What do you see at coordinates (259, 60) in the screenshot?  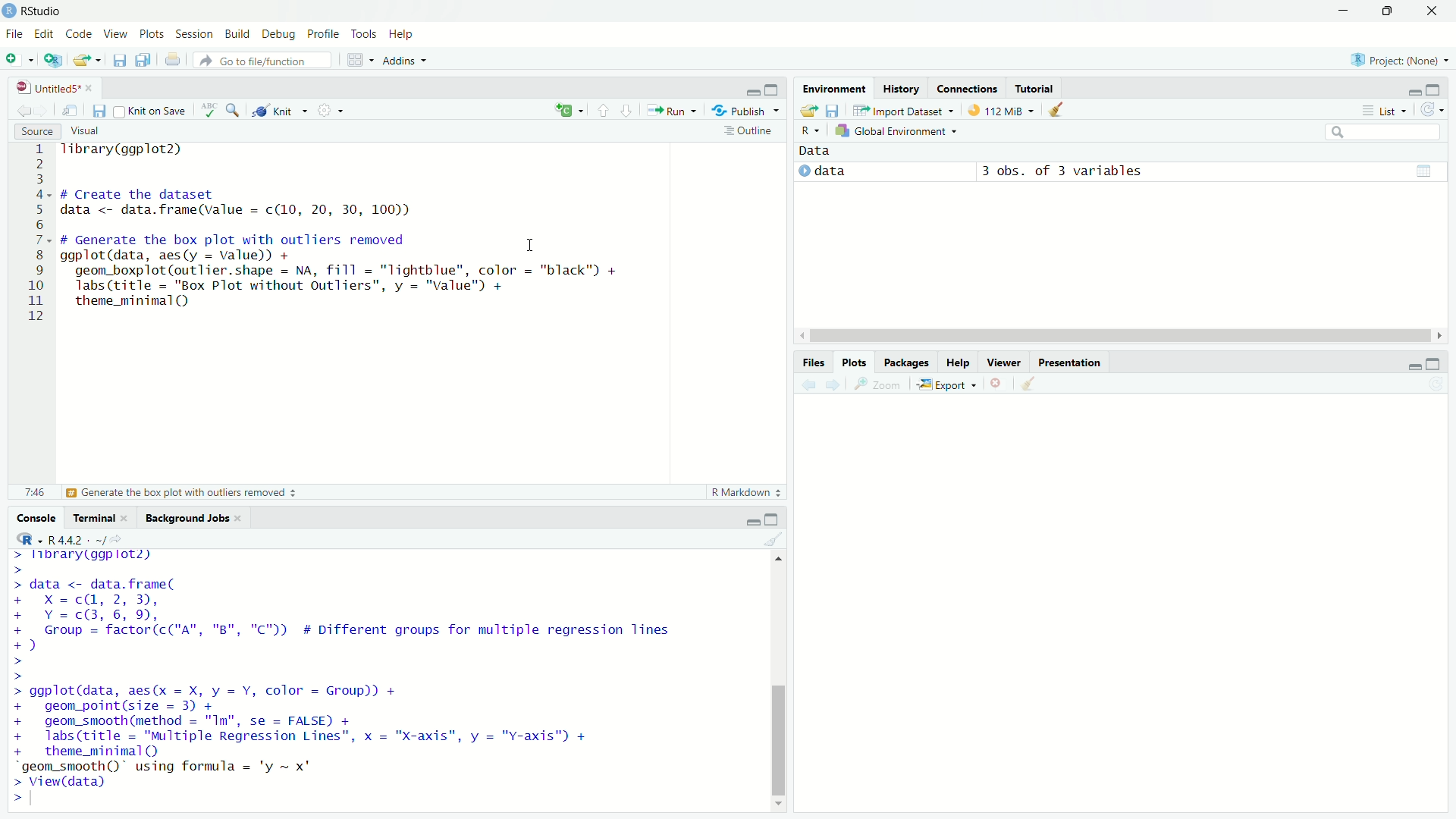 I see `) Go to file/function` at bounding box center [259, 60].